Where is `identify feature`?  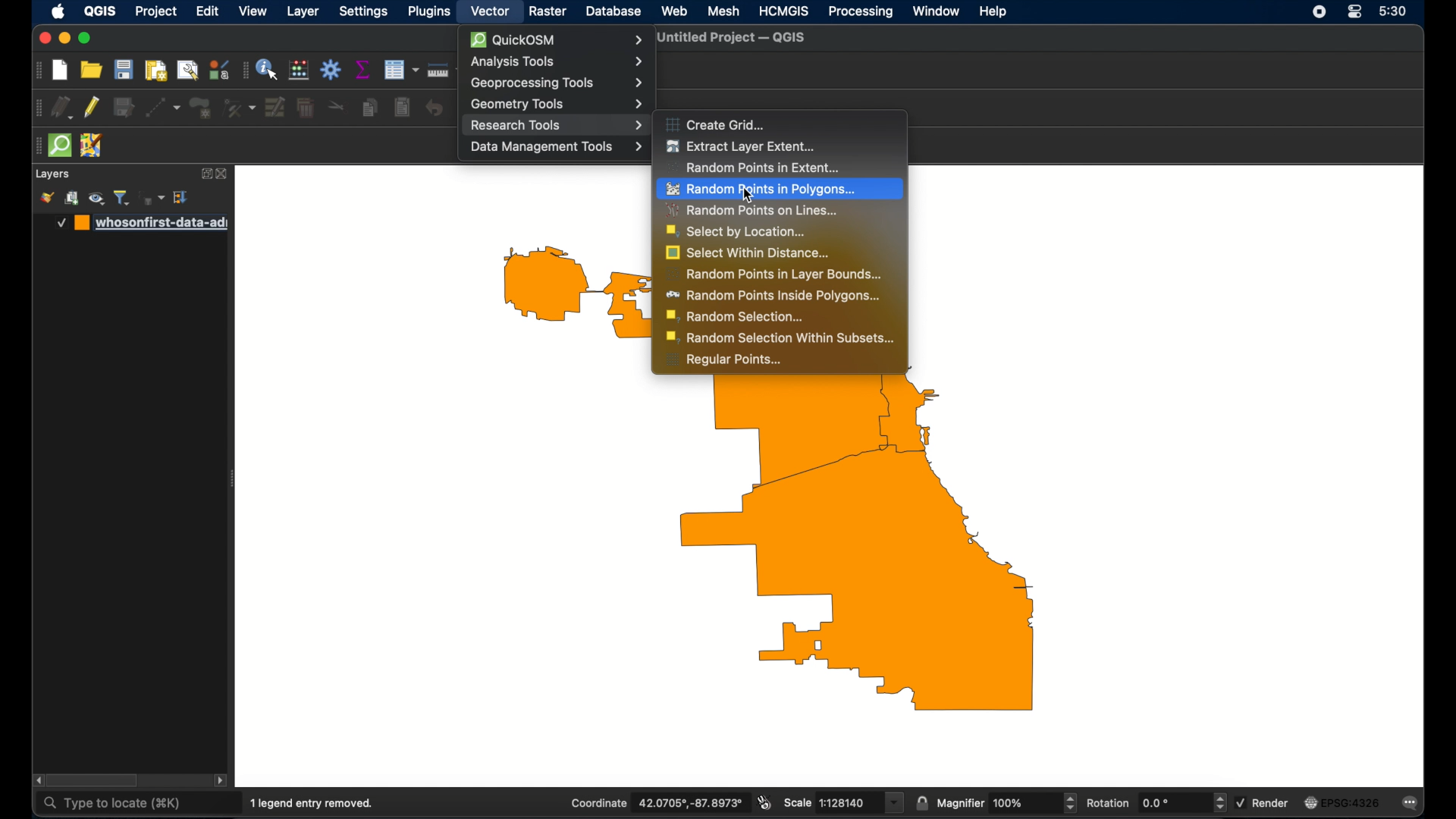
identify feature is located at coordinates (268, 70).